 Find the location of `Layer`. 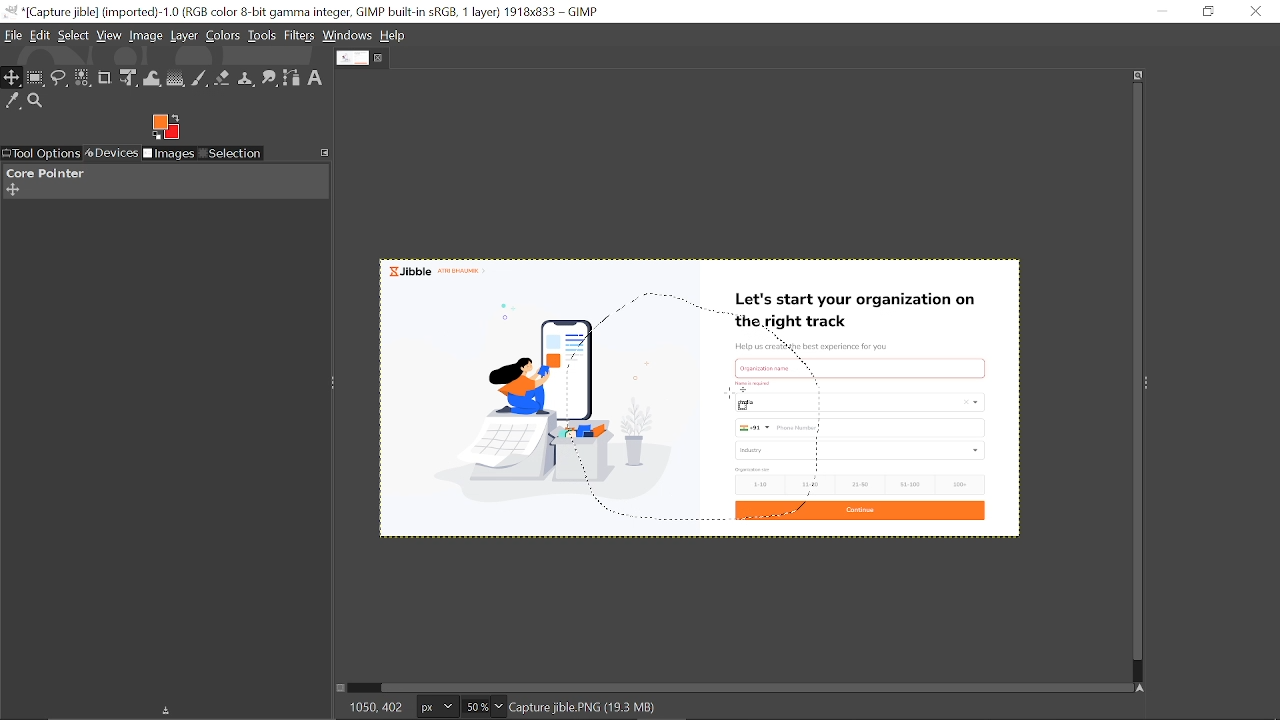

Layer is located at coordinates (184, 37).